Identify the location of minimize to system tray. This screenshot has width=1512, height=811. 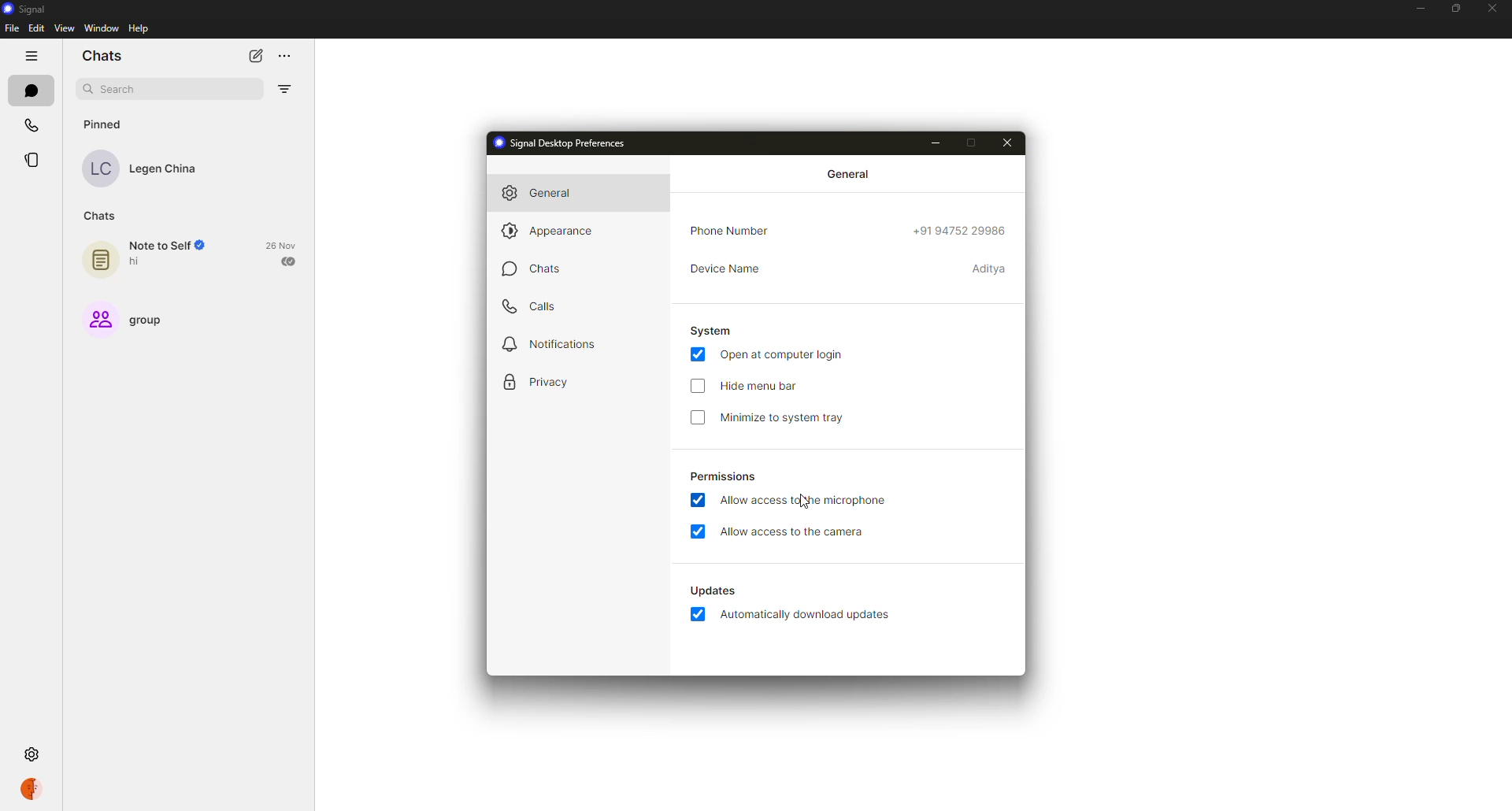
(795, 417).